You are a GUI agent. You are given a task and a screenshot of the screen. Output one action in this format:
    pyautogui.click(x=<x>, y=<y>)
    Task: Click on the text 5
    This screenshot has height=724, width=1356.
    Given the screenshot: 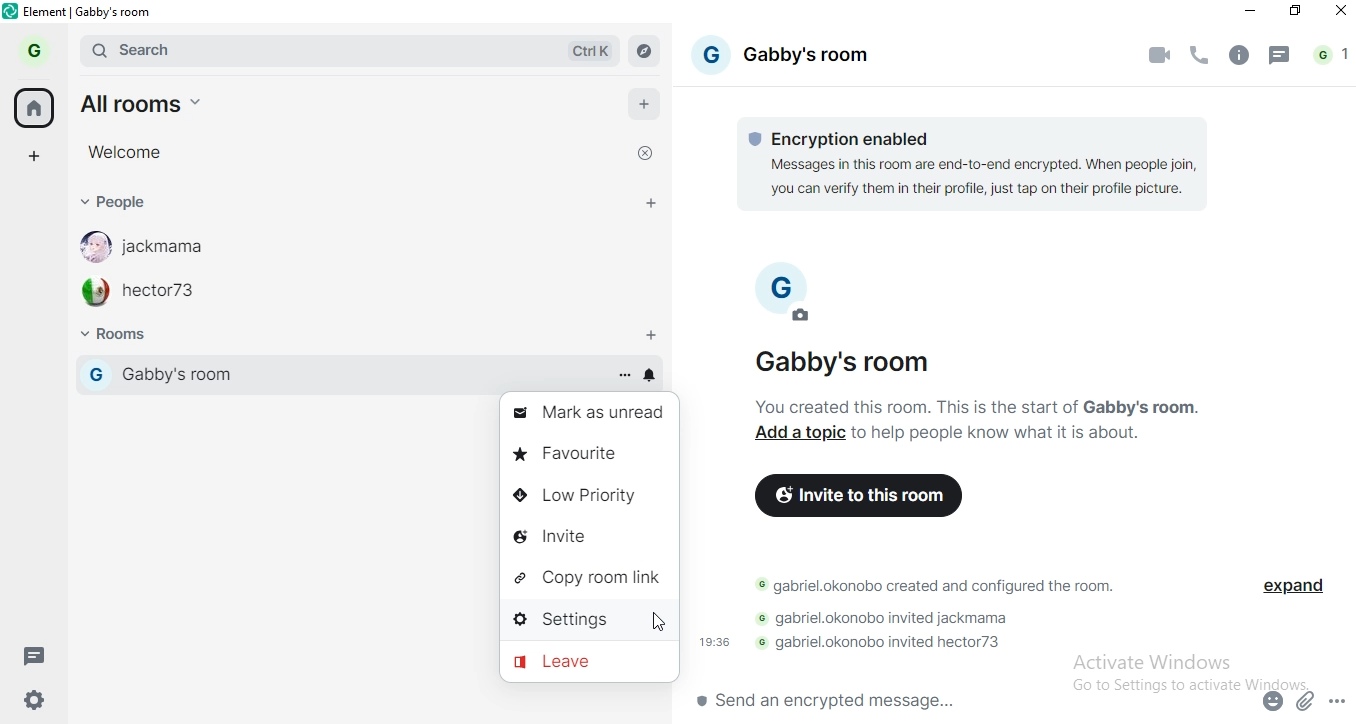 What is the action you would take?
    pyautogui.click(x=884, y=644)
    